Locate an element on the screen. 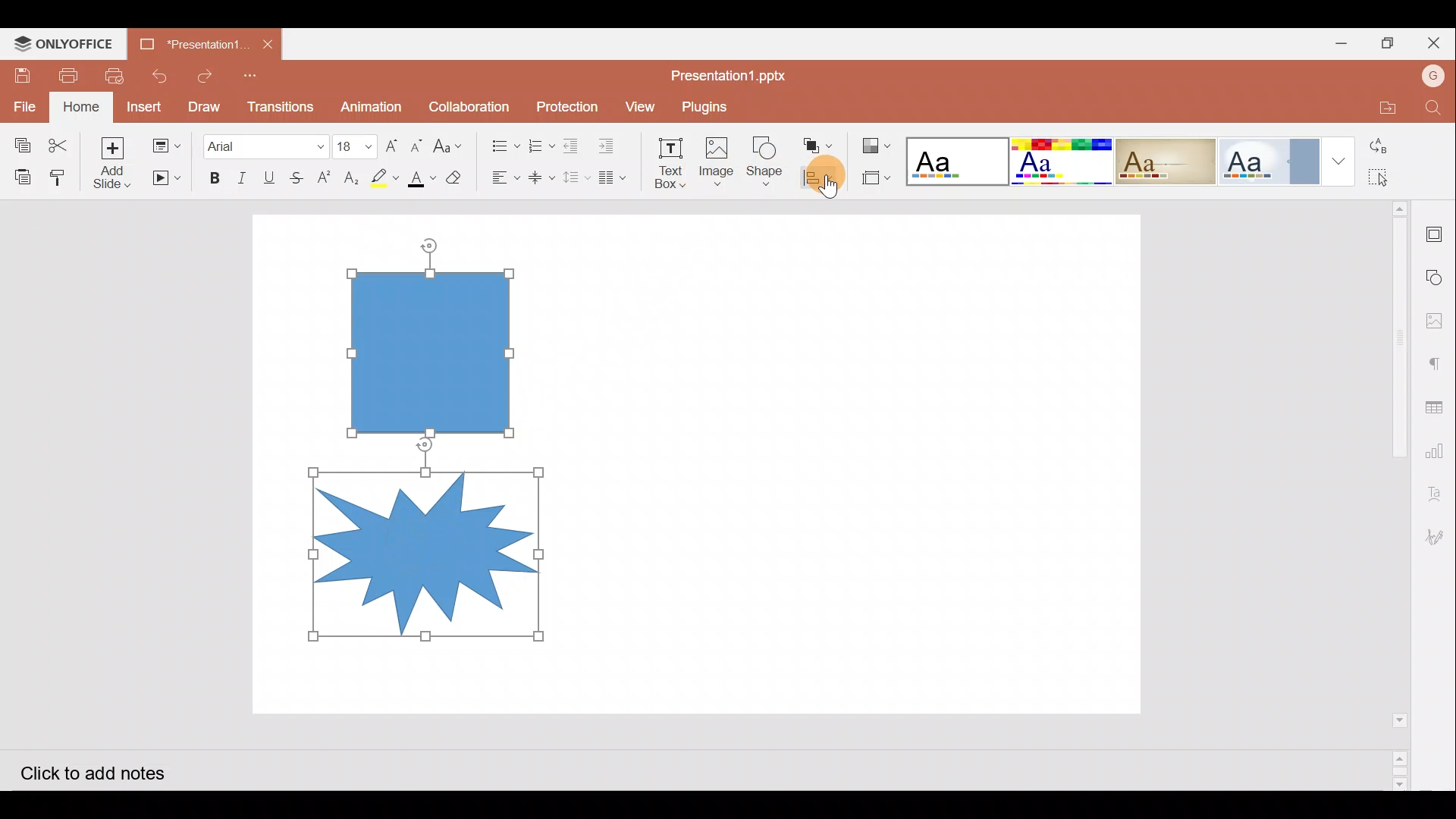 This screenshot has width=1456, height=819. Add slide is located at coordinates (111, 162).